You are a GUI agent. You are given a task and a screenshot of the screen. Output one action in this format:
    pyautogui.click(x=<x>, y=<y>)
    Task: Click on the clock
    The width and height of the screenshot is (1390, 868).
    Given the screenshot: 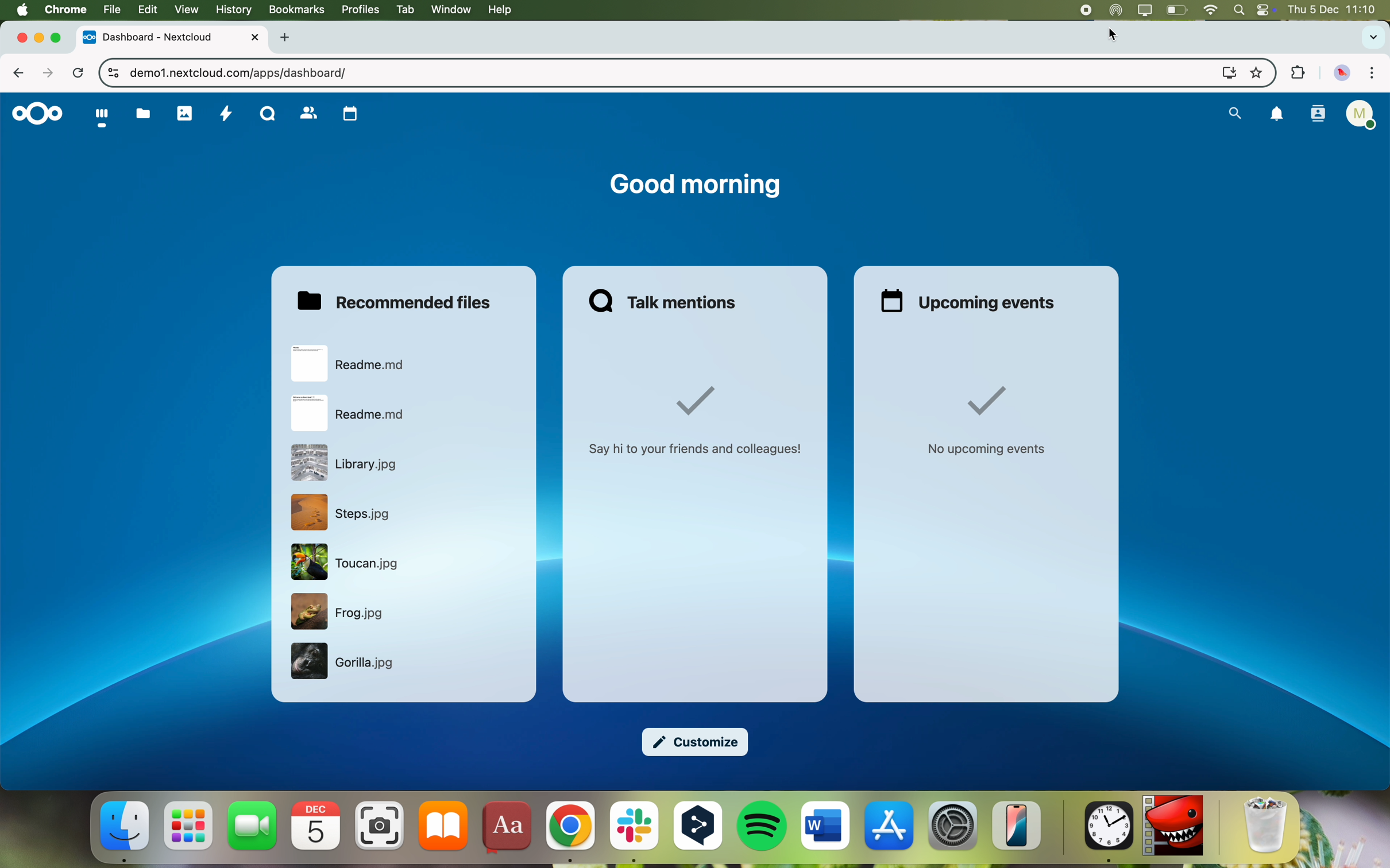 What is the action you would take?
    pyautogui.click(x=1106, y=834)
    